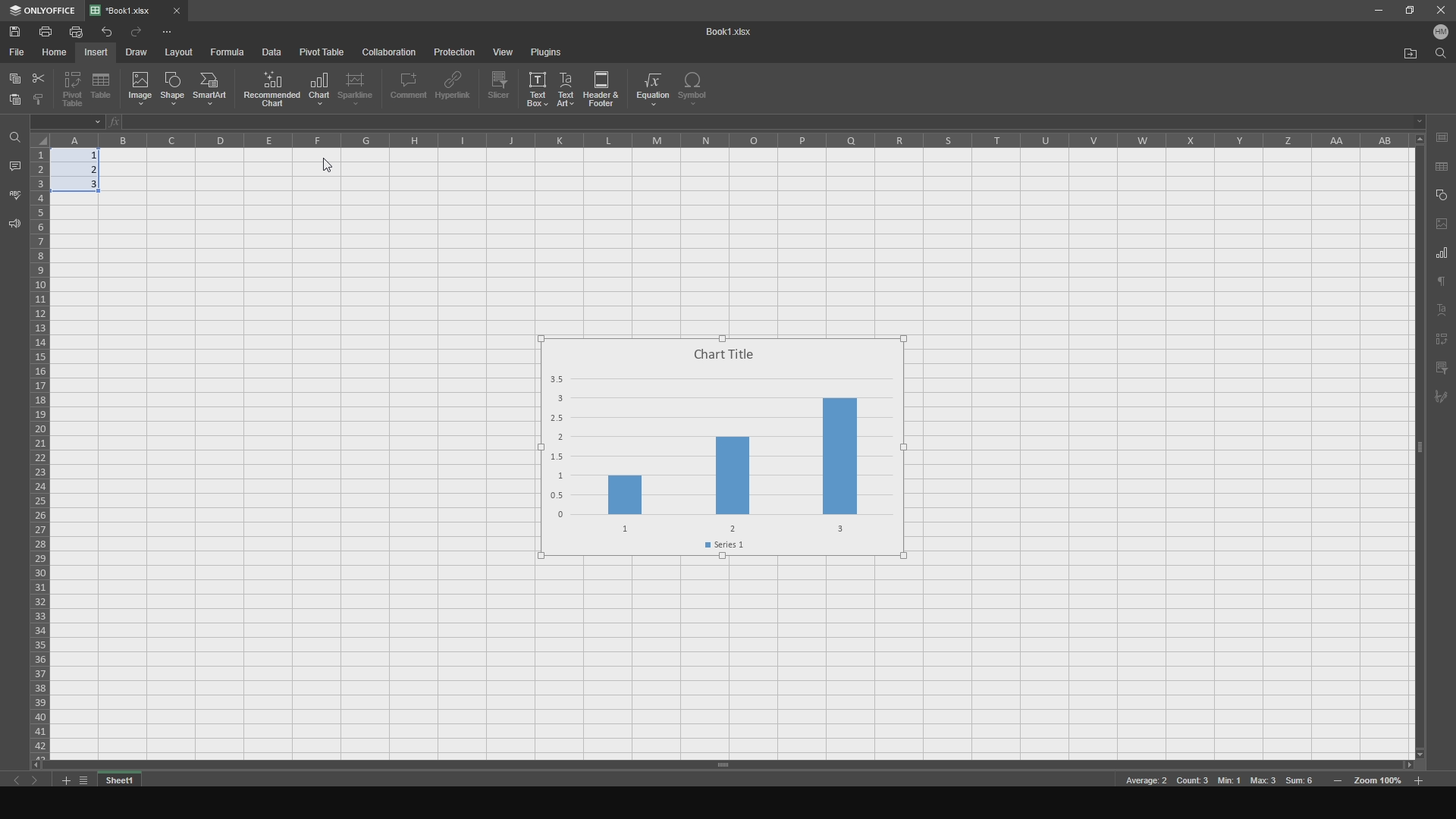  What do you see at coordinates (651, 91) in the screenshot?
I see `equation` at bounding box center [651, 91].